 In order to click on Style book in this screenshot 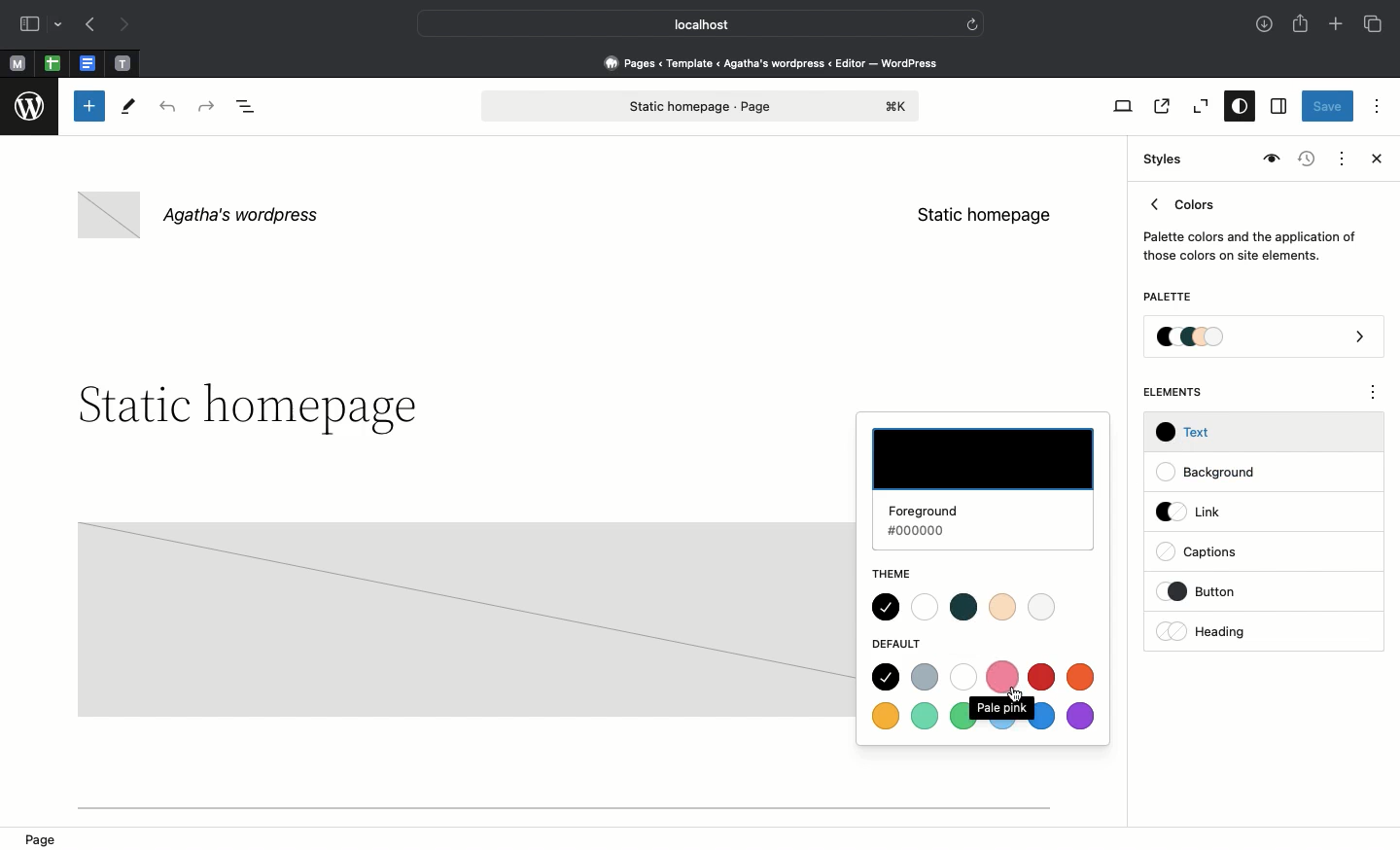, I will do `click(1269, 159)`.